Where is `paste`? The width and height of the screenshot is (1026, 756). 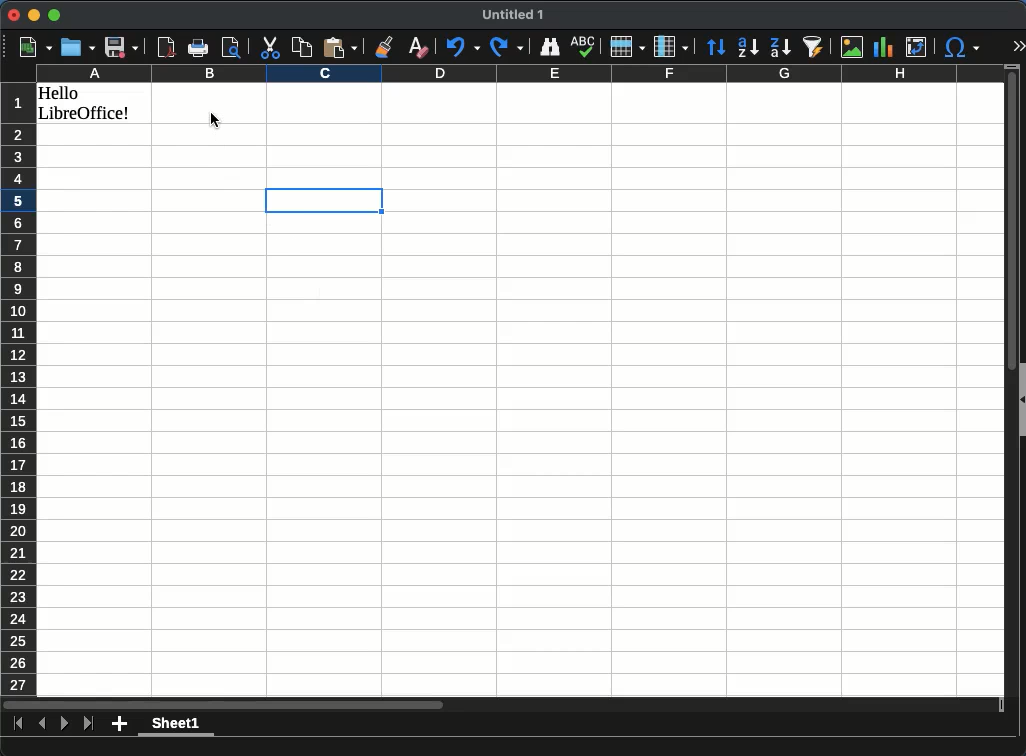
paste is located at coordinates (339, 46).